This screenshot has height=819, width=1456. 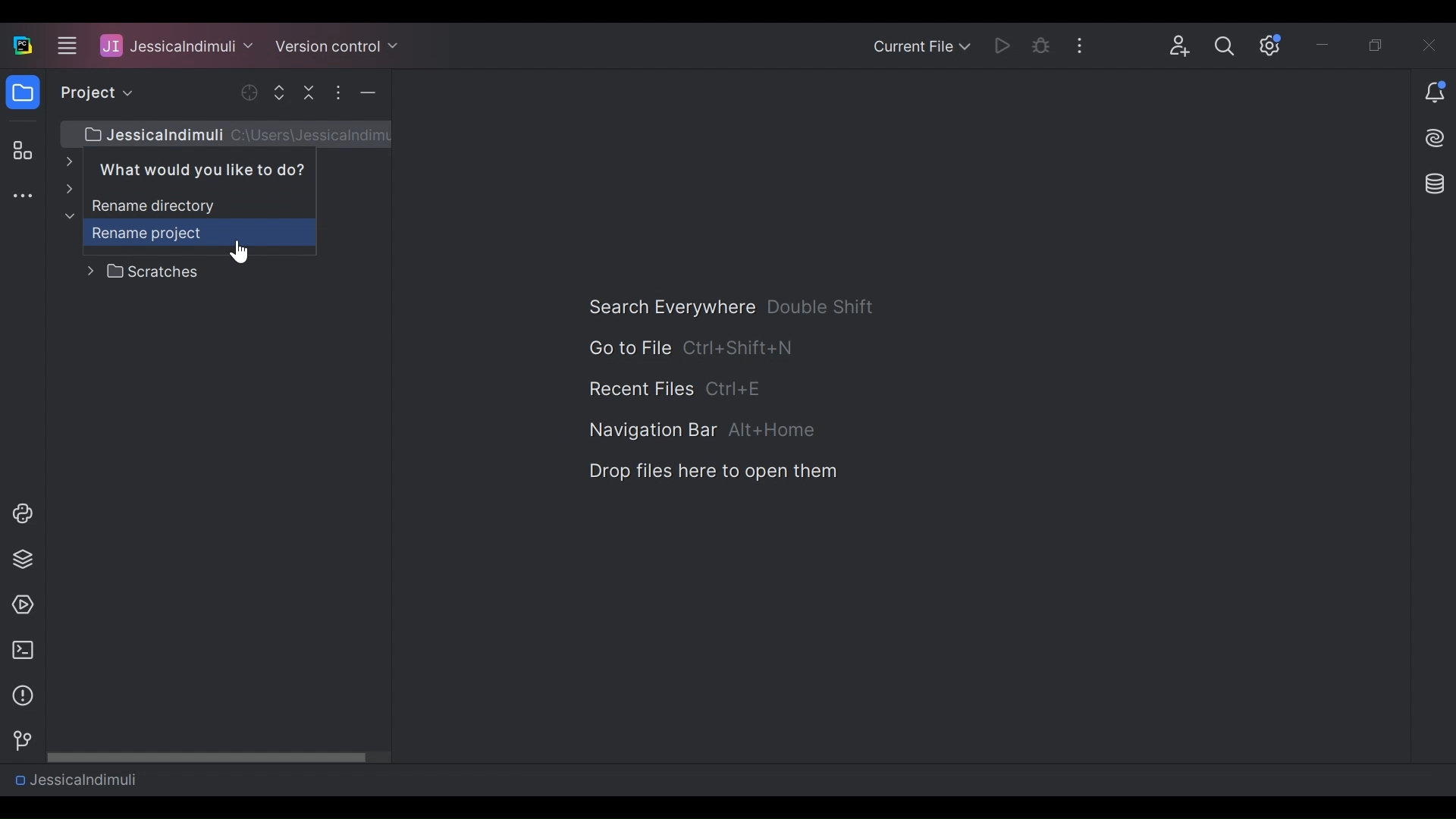 I want to click on Database, so click(x=1432, y=183).